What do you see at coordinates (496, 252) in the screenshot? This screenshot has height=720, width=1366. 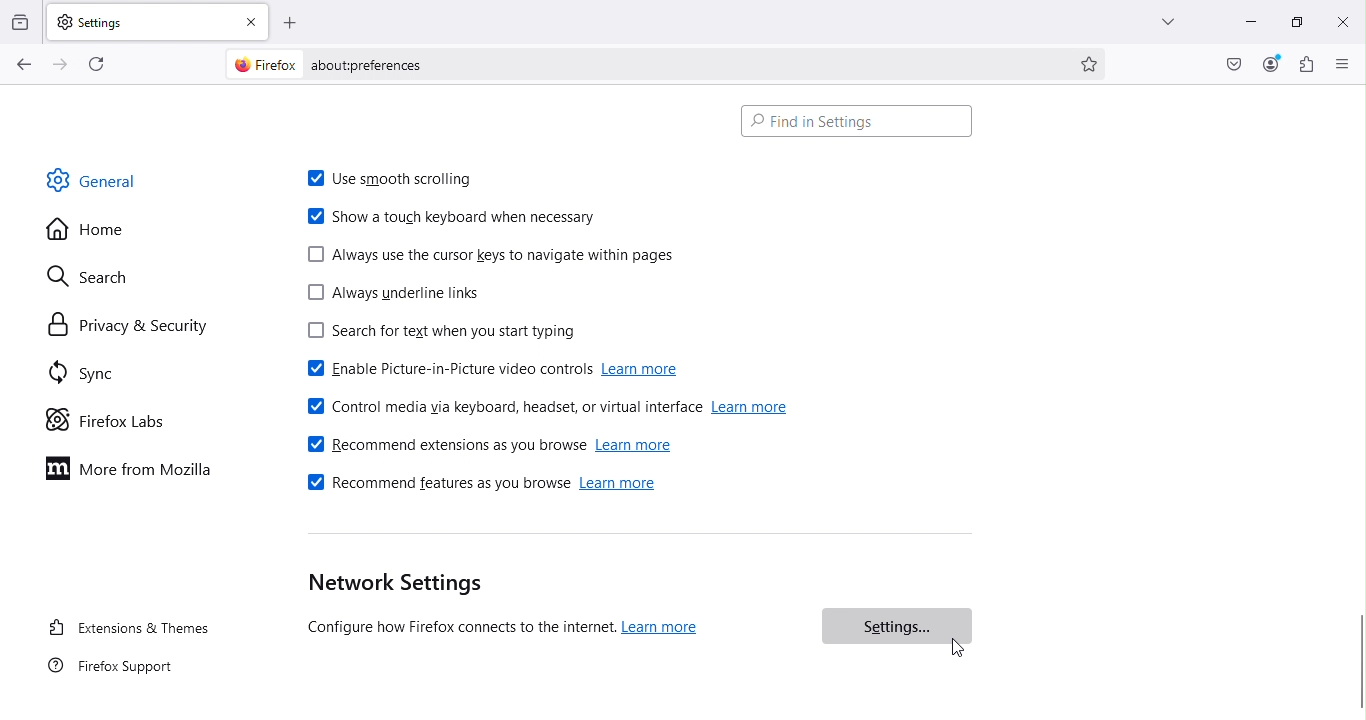 I see `Always use the cursor keys to navigate within pages` at bounding box center [496, 252].